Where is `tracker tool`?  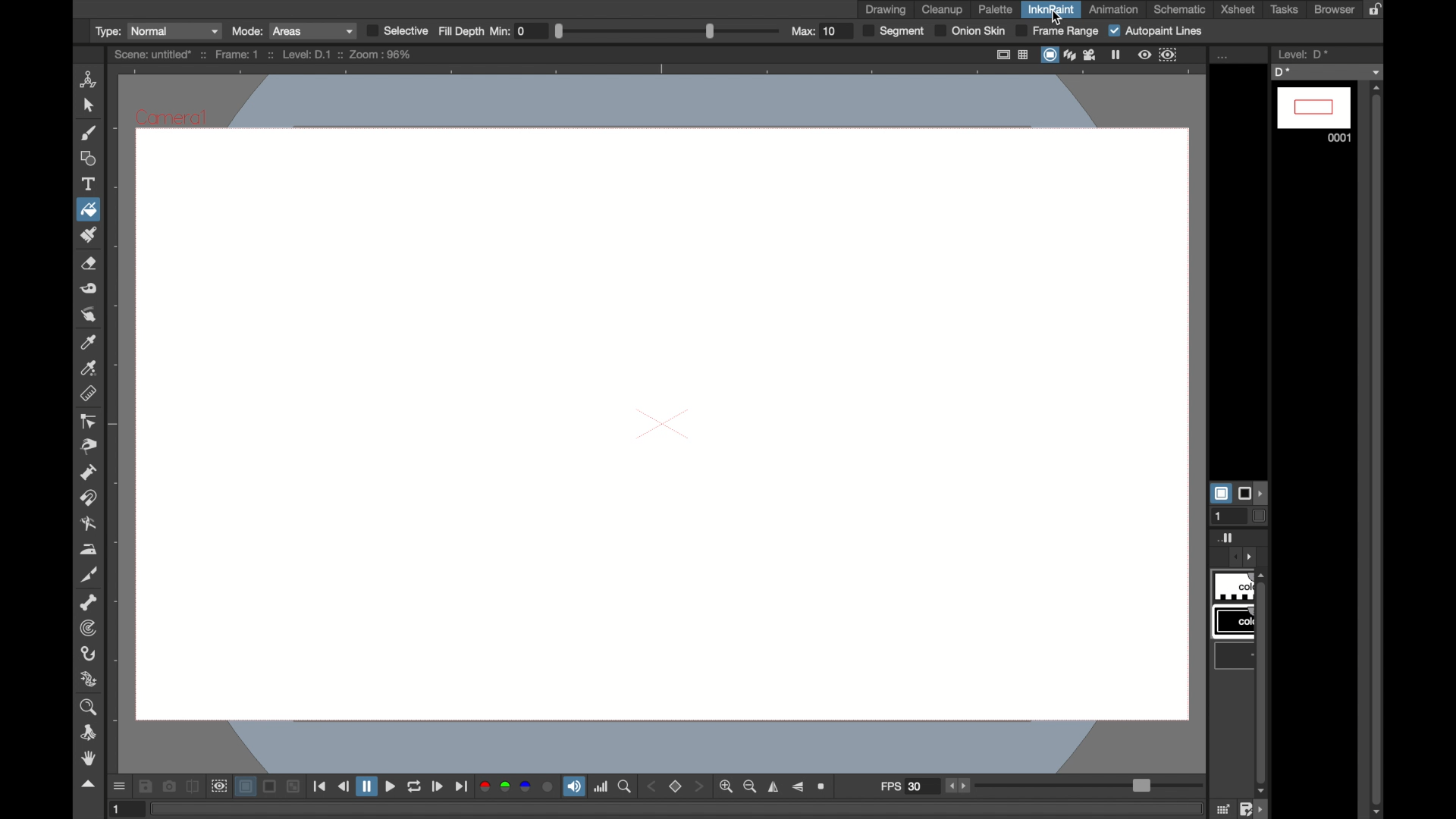
tracker tool is located at coordinates (86, 628).